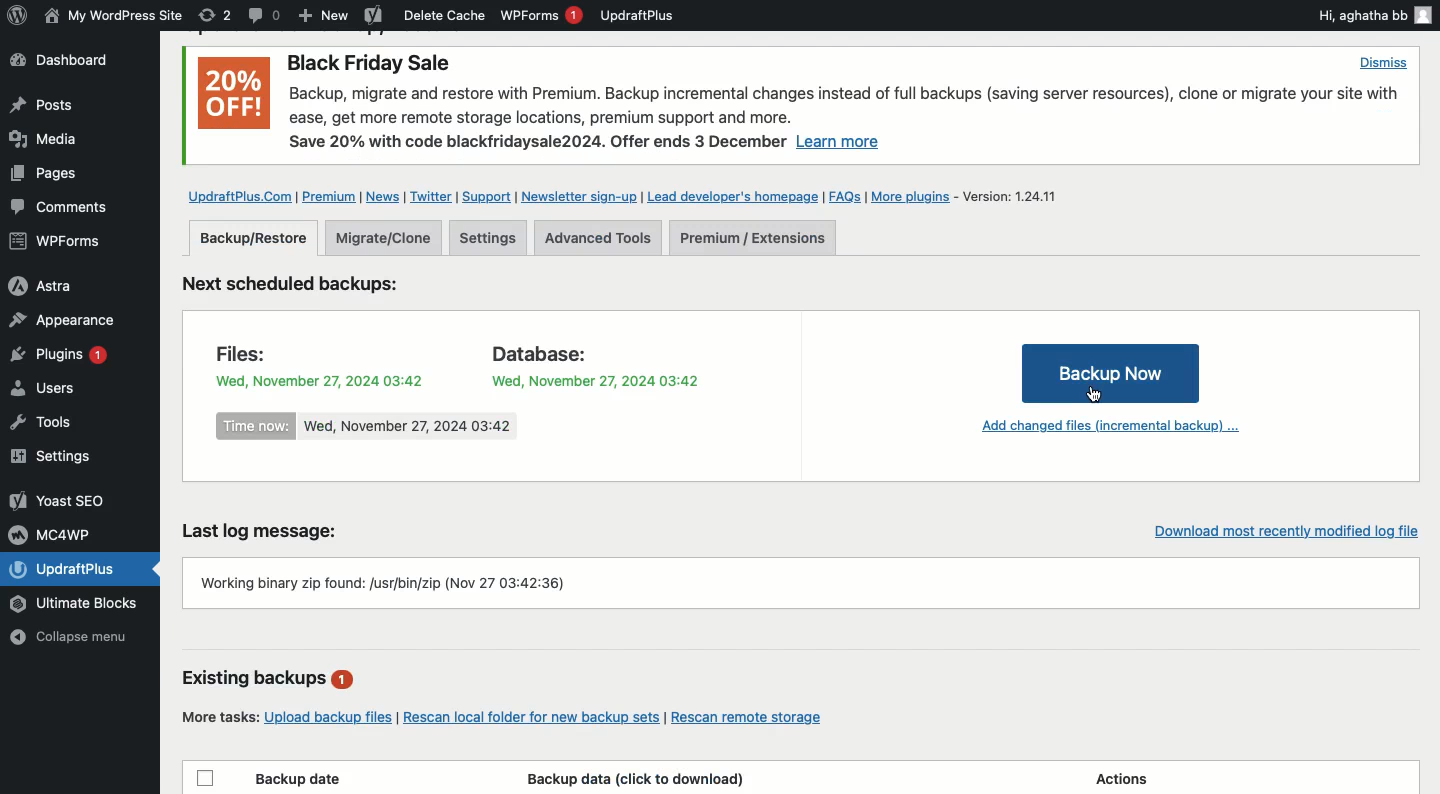  What do you see at coordinates (758, 715) in the screenshot?
I see `Rescan remote storage` at bounding box center [758, 715].